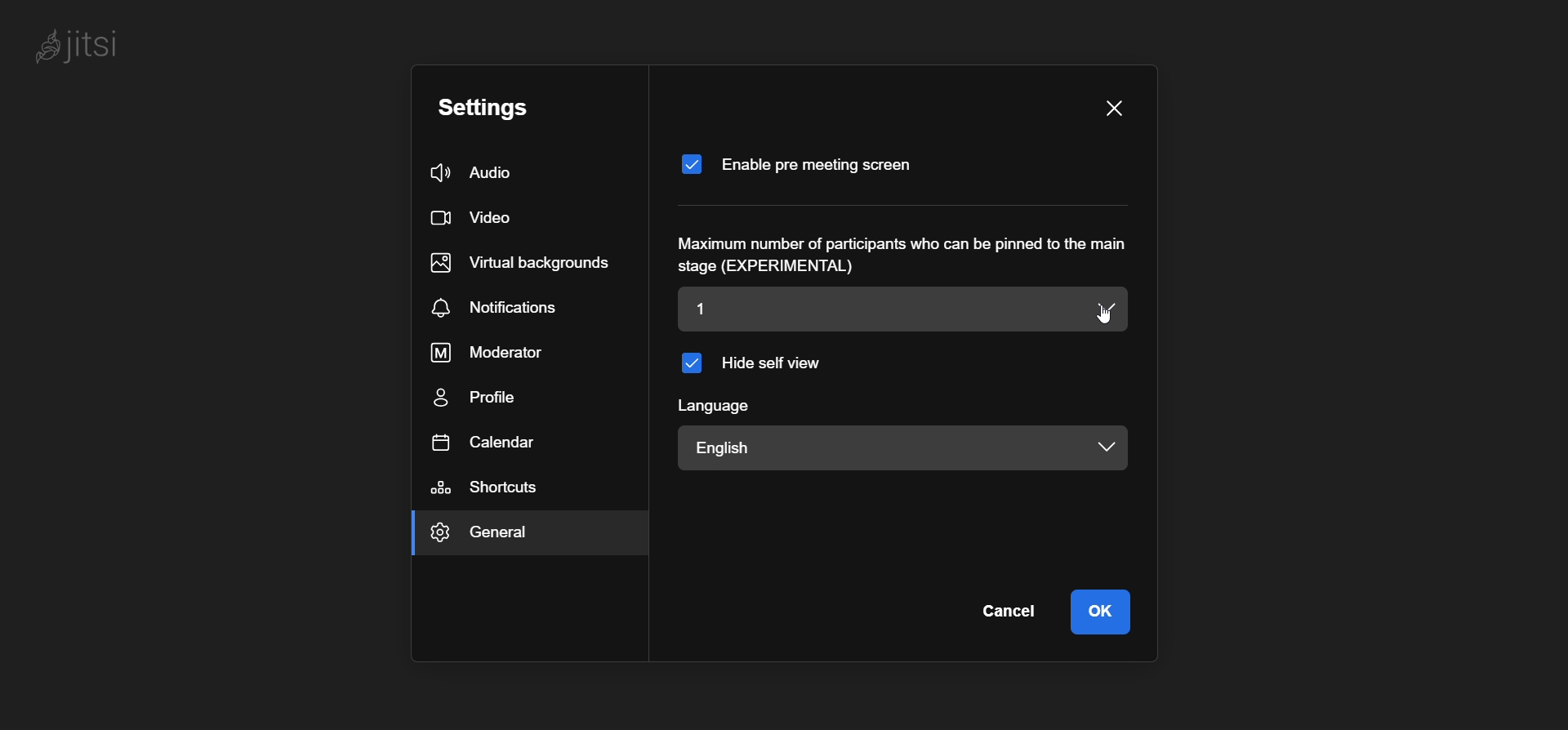 The width and height of the screenshot is (1568, 730). What do you see at coordinates (1111, 319) in the screenshot?
I see `cursor` at bounding box center [1111, 319].